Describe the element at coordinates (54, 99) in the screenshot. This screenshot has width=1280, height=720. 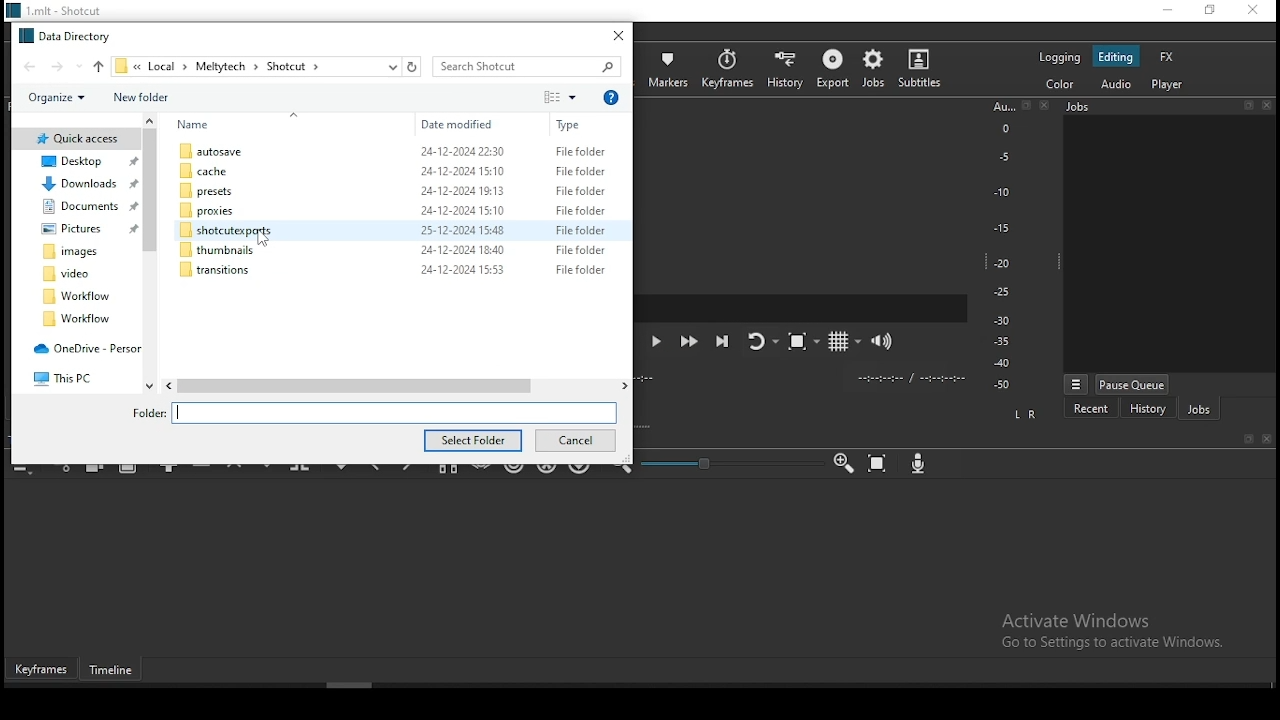
I see `organize` at that location.